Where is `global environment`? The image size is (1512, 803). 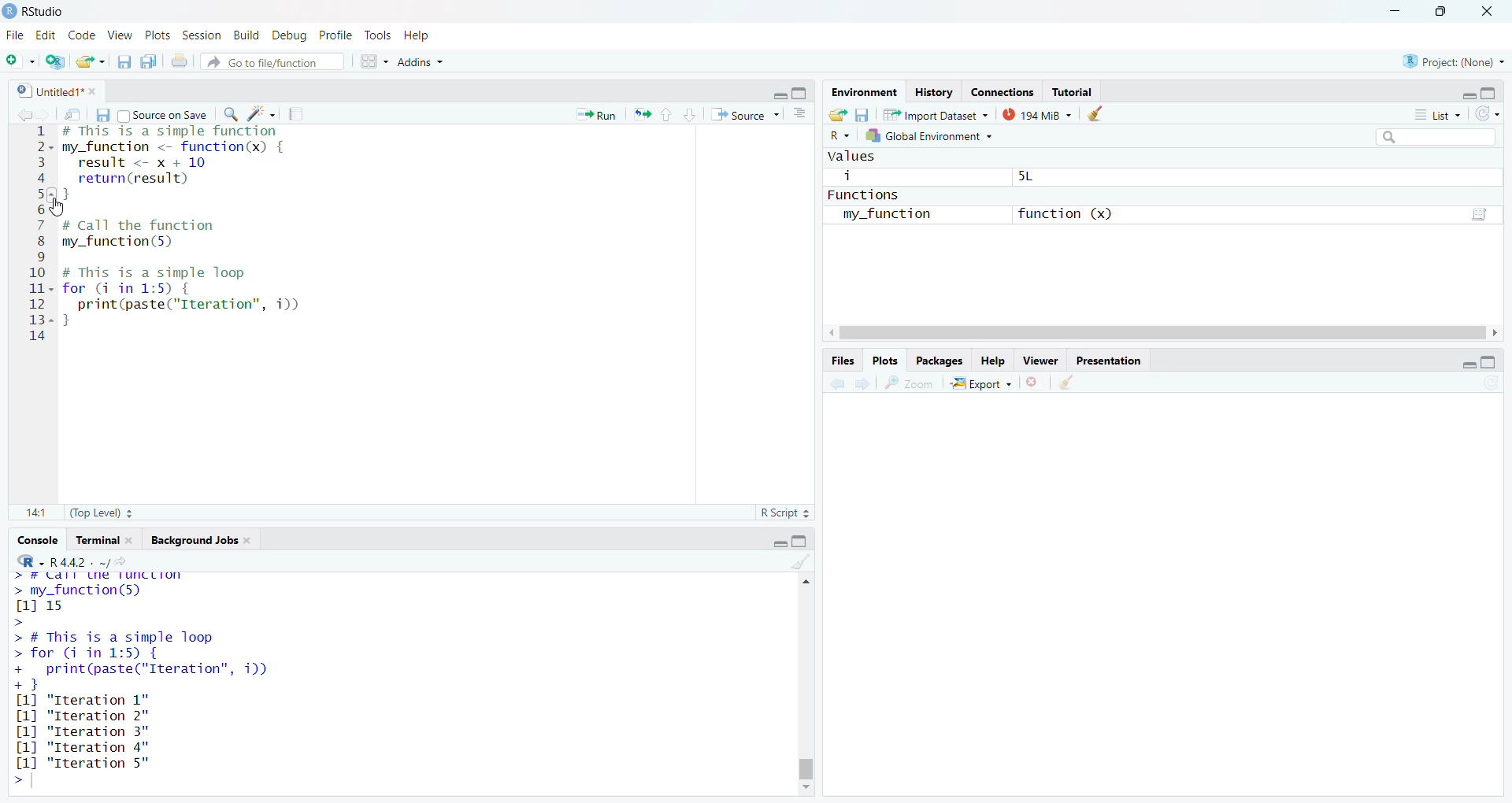 global environment is located at coordinates (937, 139).